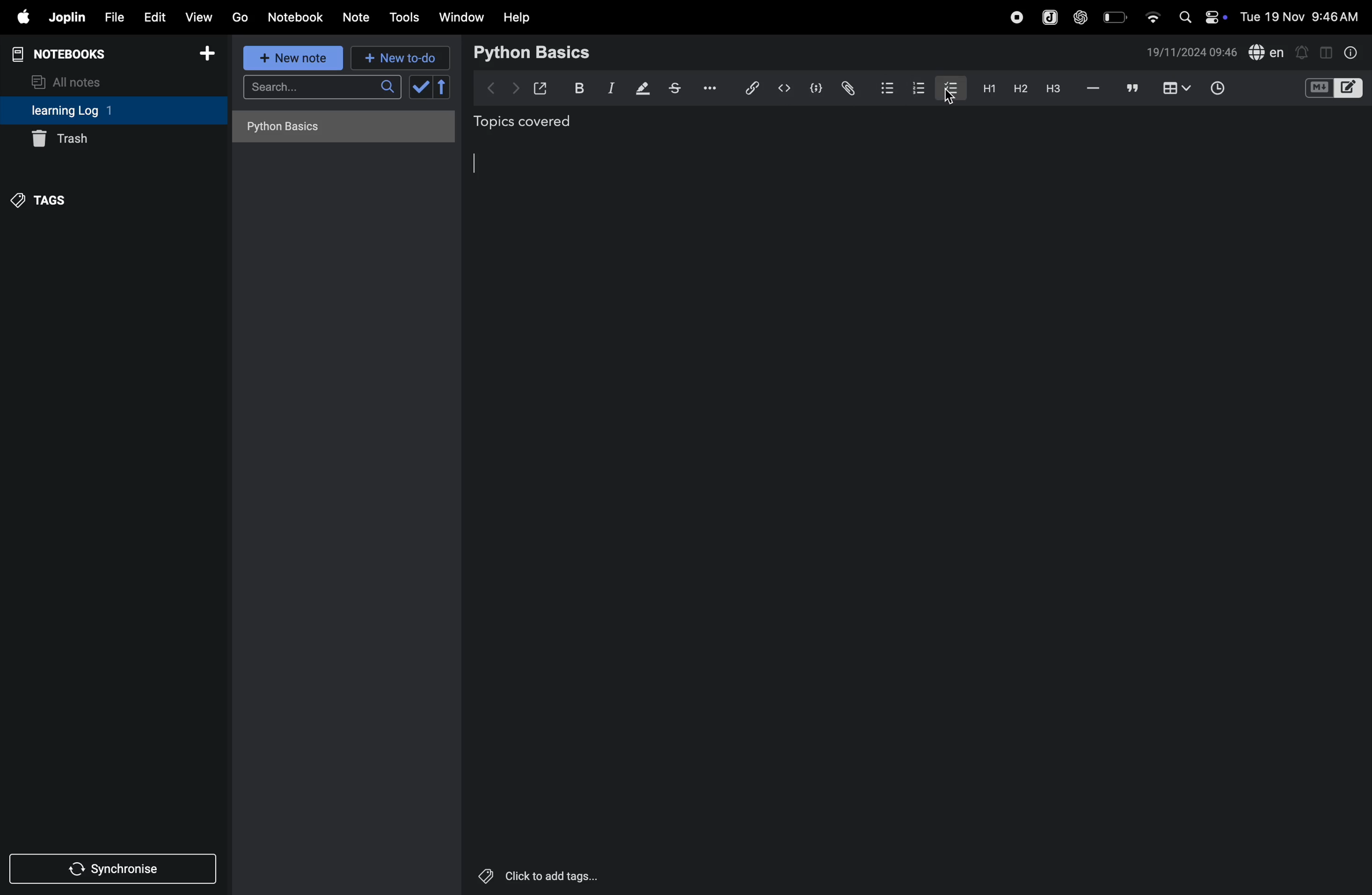  Describe the element at coordinates (915, 87) in the screenshot. I see `numbered list` at that location.